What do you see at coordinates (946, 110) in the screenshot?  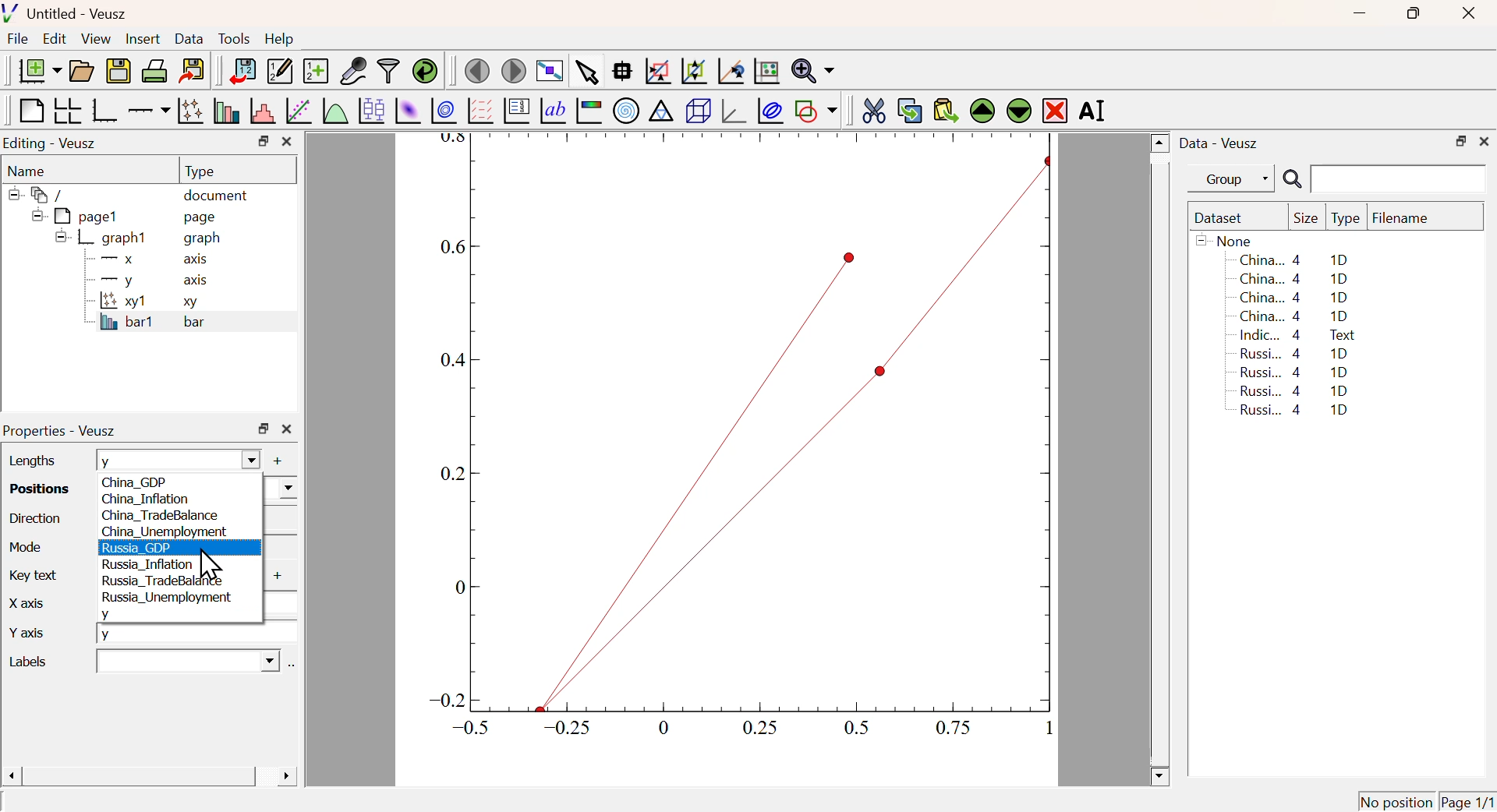 I see `Paste from Clipboard` at bounding box center [946, 110].